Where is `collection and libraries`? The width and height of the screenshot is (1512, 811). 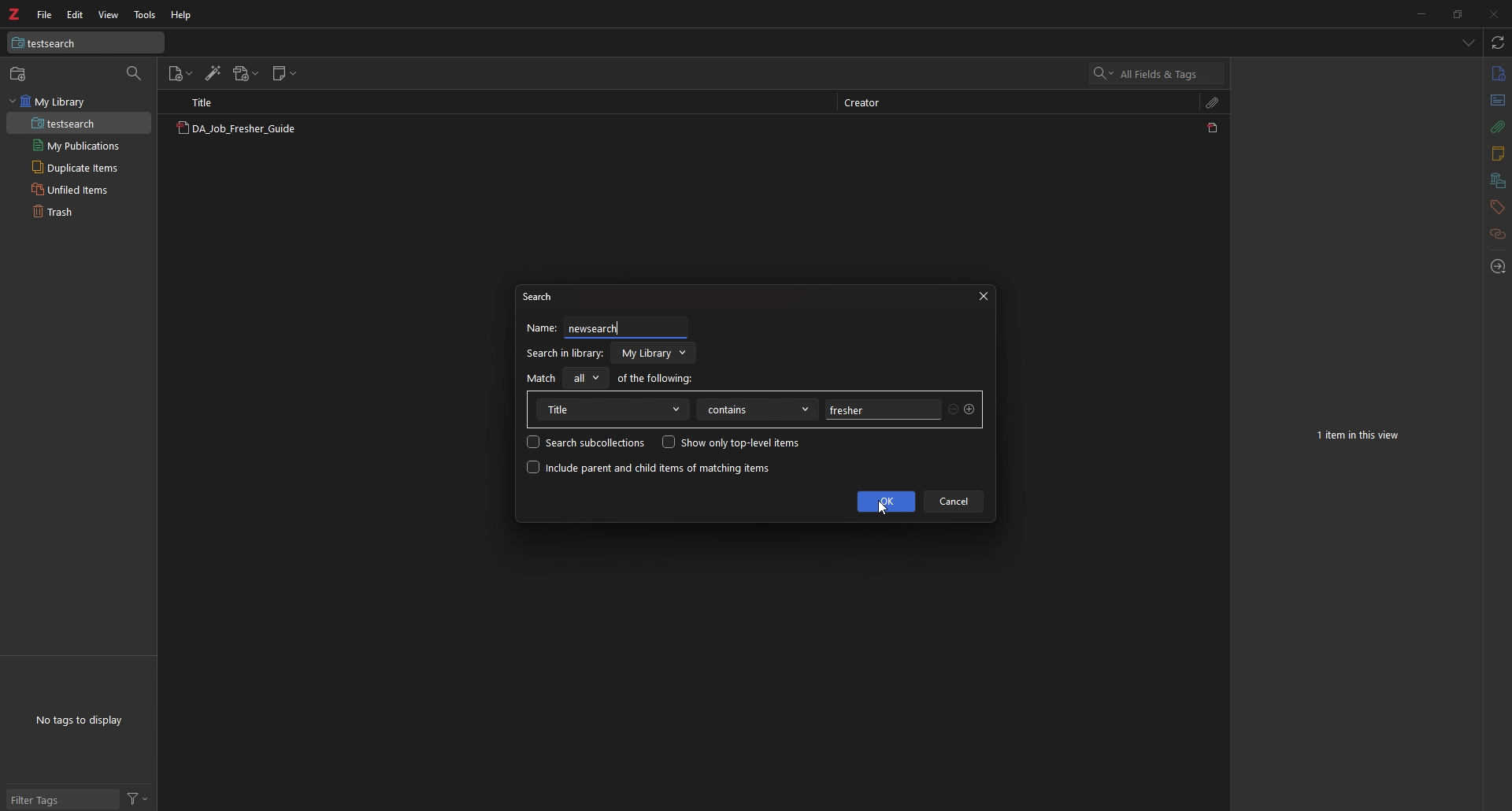 collection and libraries is located at coordinates (1498, 181).